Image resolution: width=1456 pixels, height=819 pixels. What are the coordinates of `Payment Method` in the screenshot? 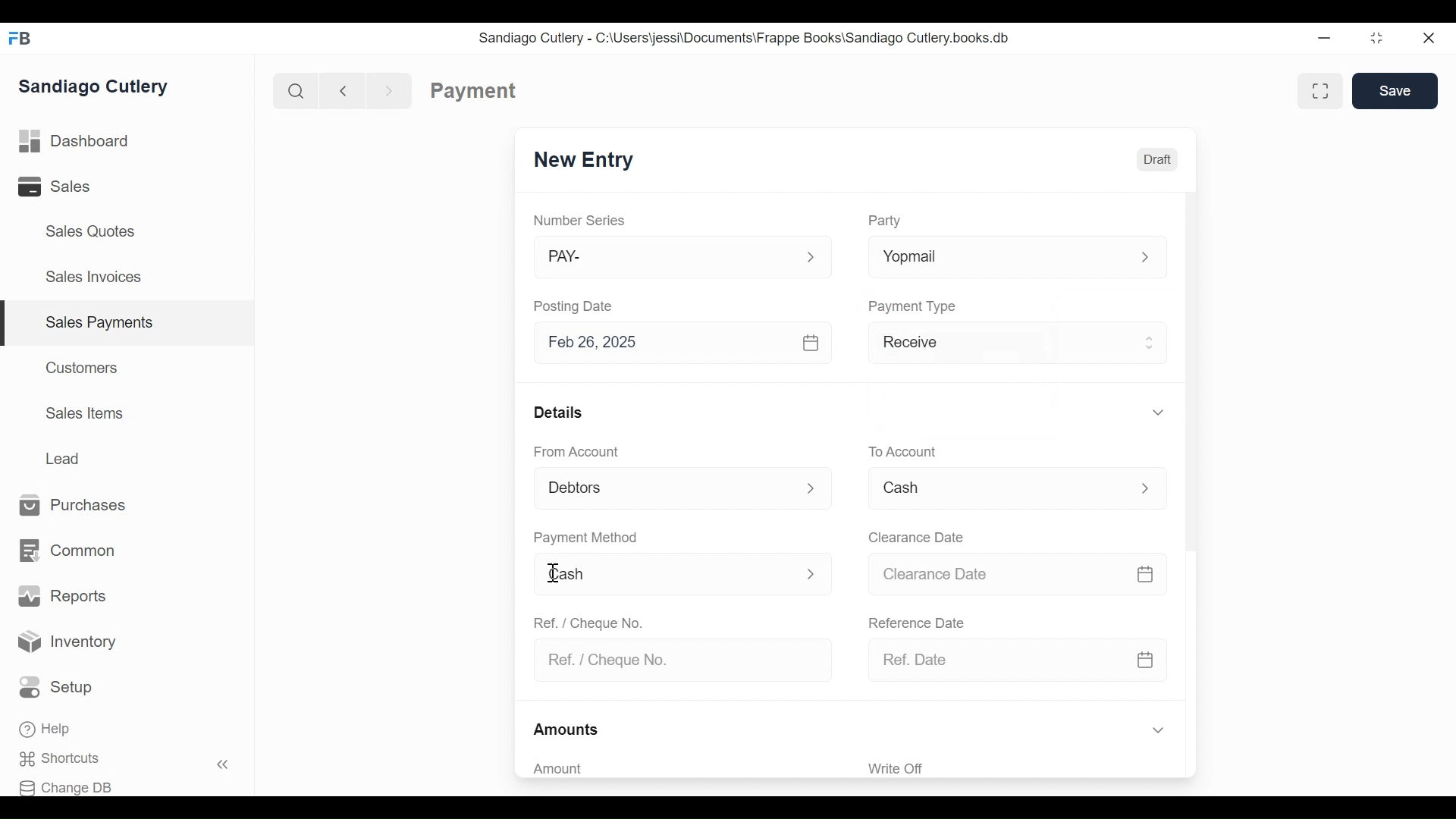 It's located at (585, 538).